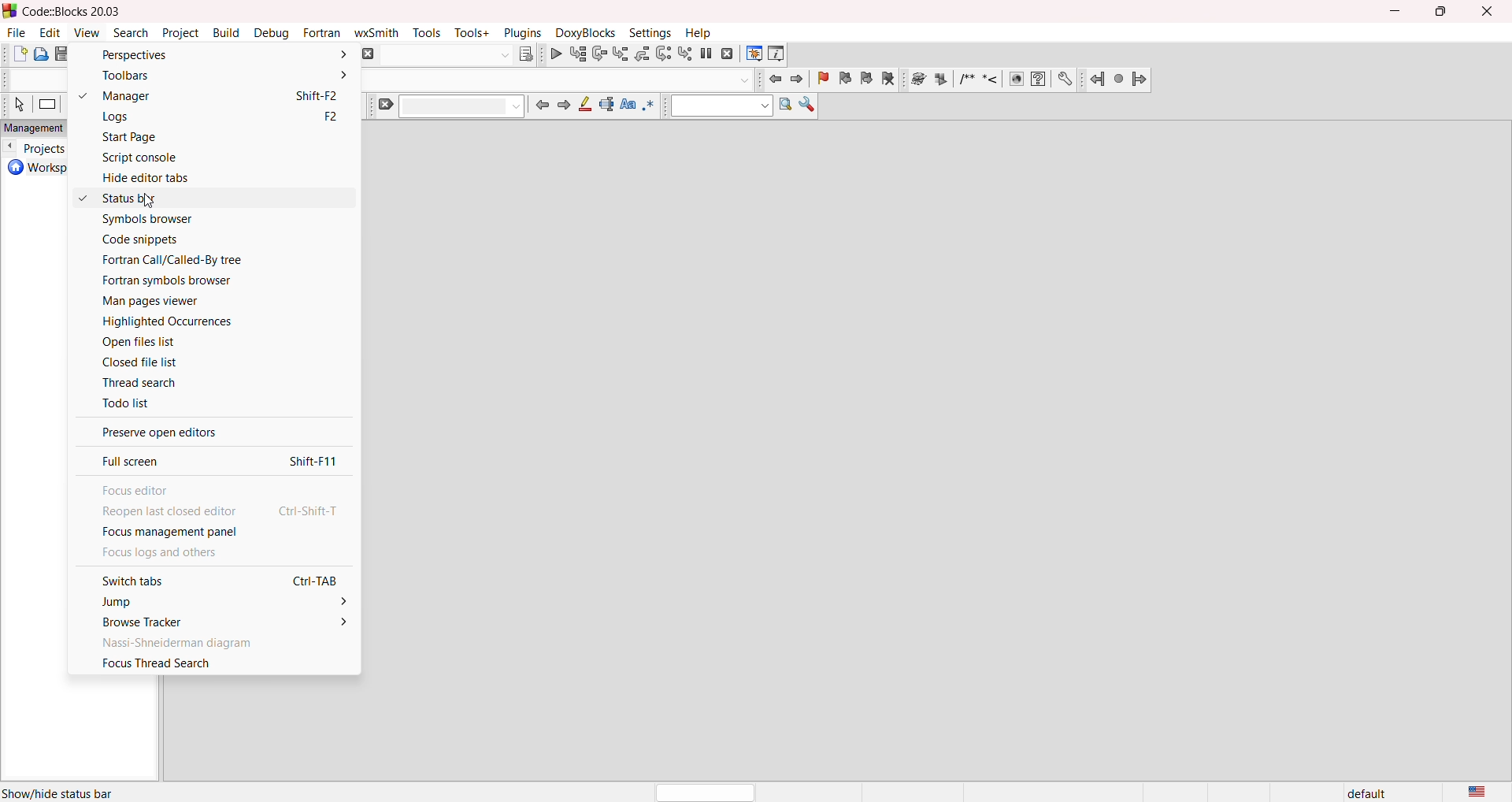 The height and width of the screenshot is (802, 1512). What do you see at coordinates (1443, 13) in the screenshot?
I see `maximize` at bounding box center [1443, 13].